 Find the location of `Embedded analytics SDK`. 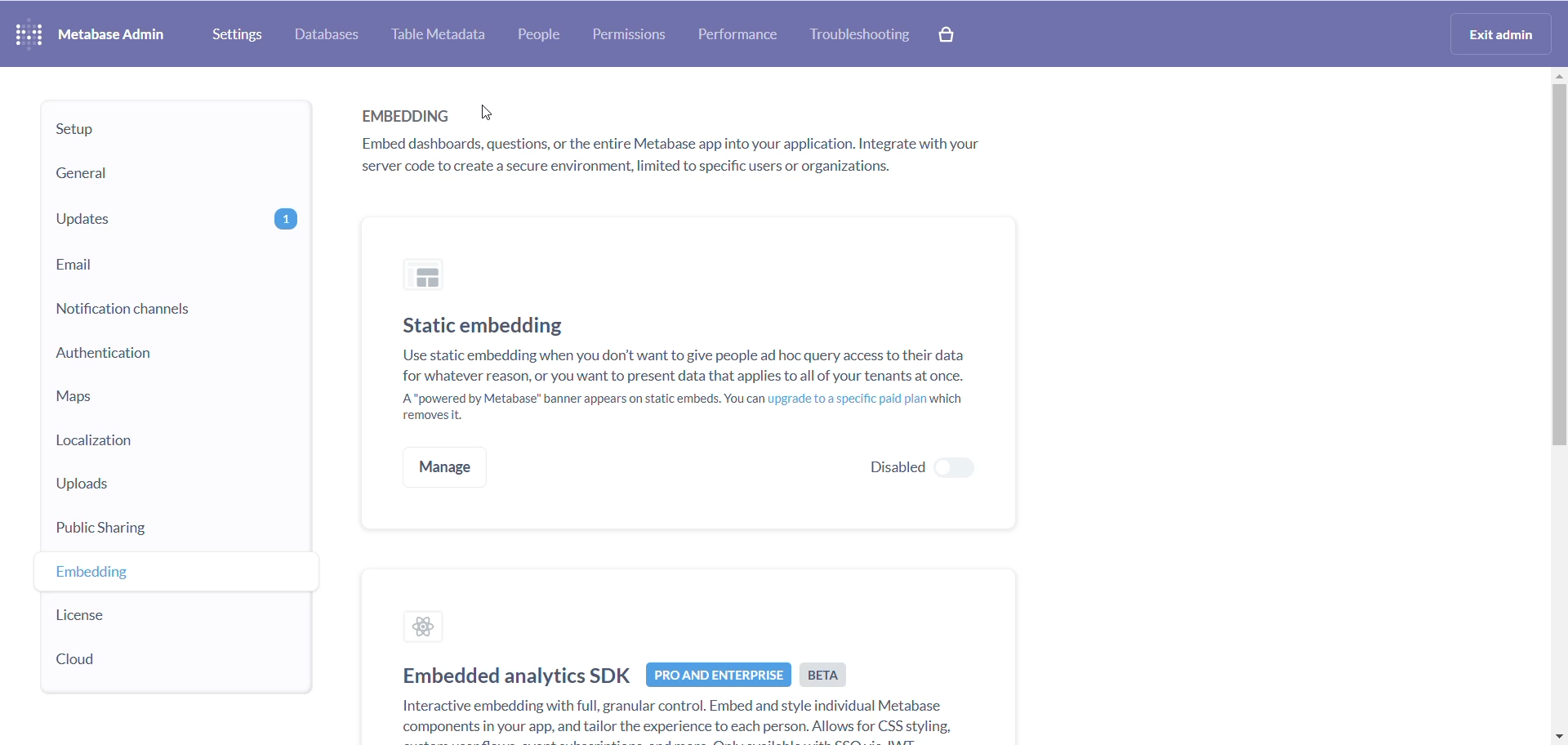

Embedded analytics SDK is located at coordinates (512, 675).